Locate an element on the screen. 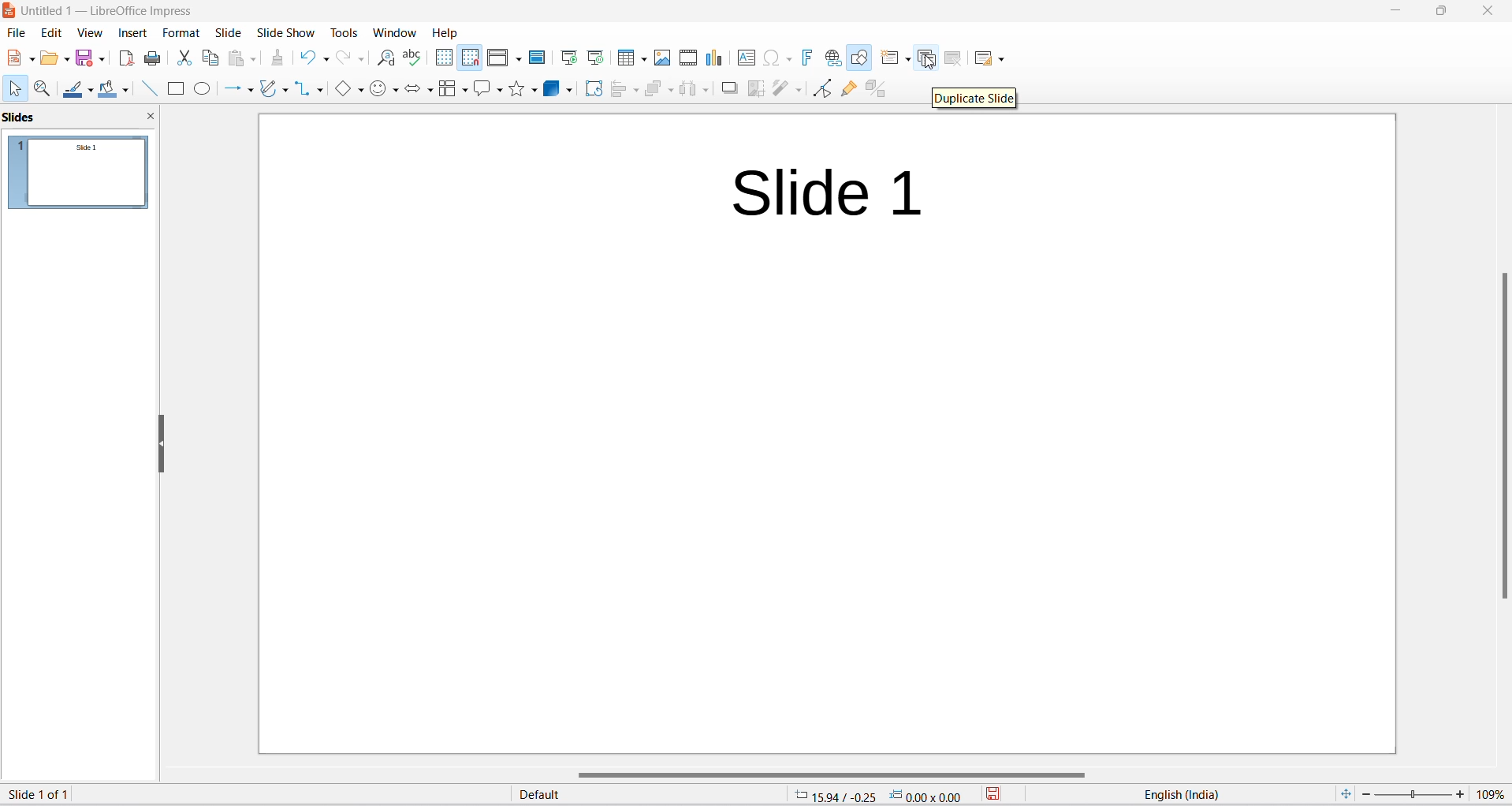 Image resolution: width=1512 pixels, height=806 pixels. Curve and polygons is located at coordinates (273, 91).